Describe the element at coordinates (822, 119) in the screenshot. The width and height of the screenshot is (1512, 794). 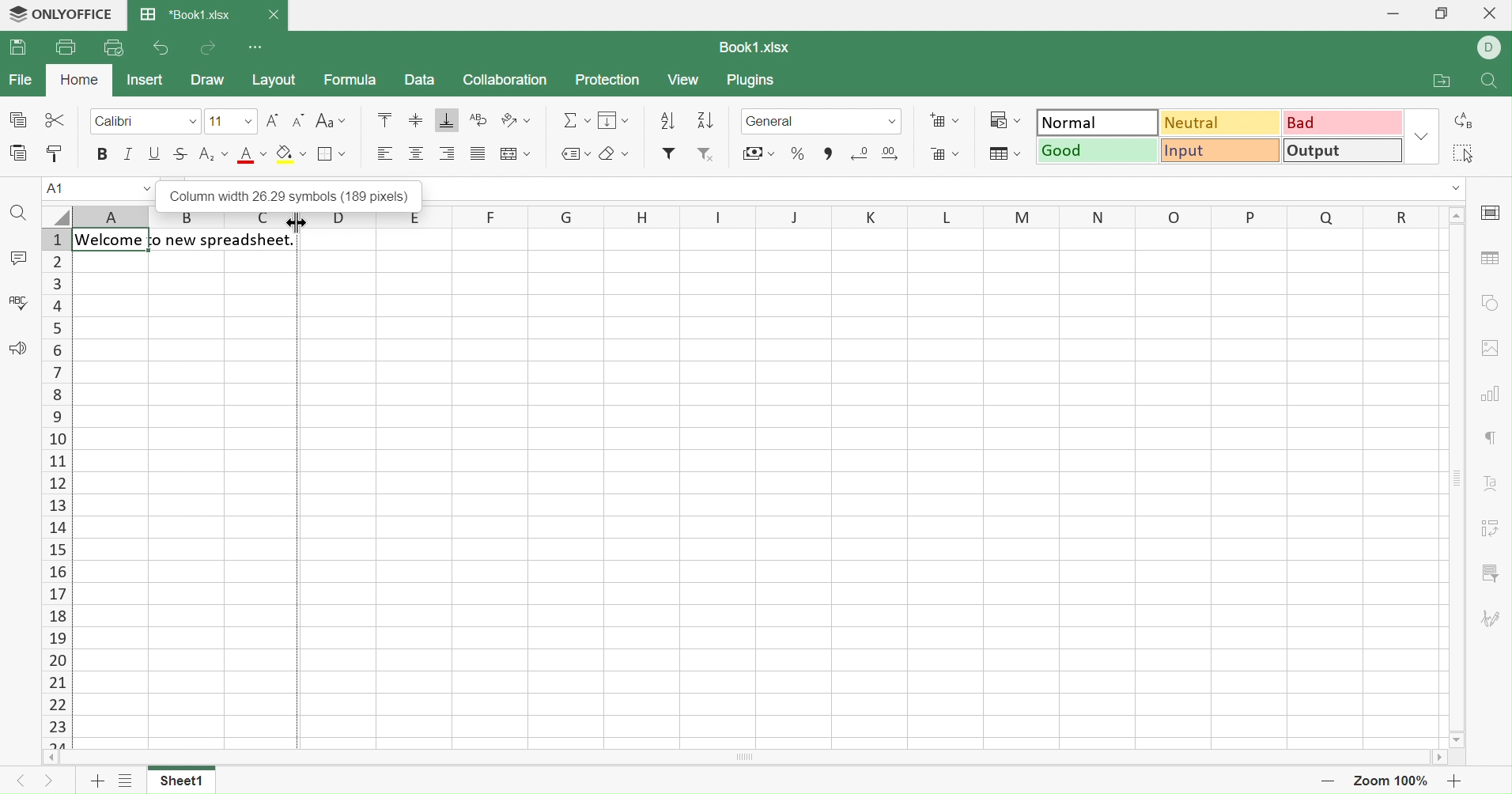
I see `General` at that location.